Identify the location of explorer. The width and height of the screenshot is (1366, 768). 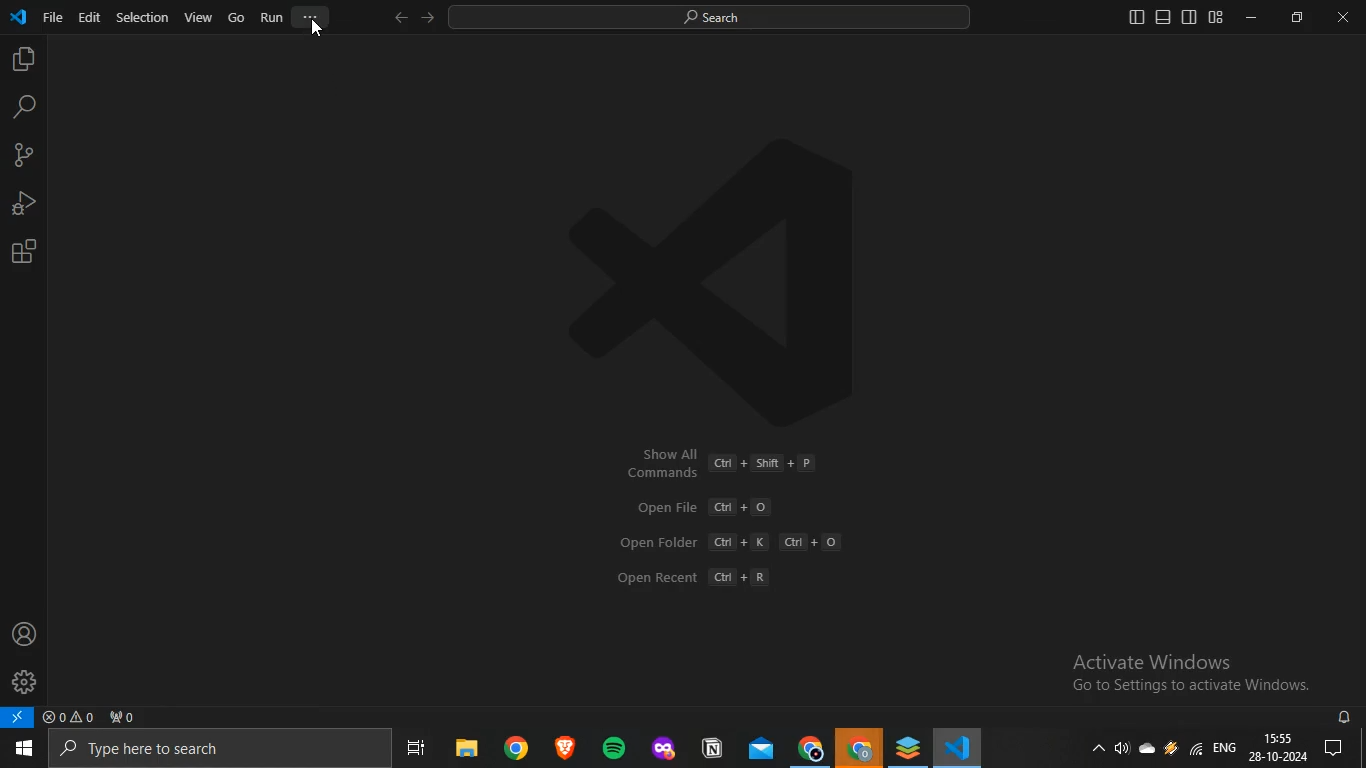
(21, 61).